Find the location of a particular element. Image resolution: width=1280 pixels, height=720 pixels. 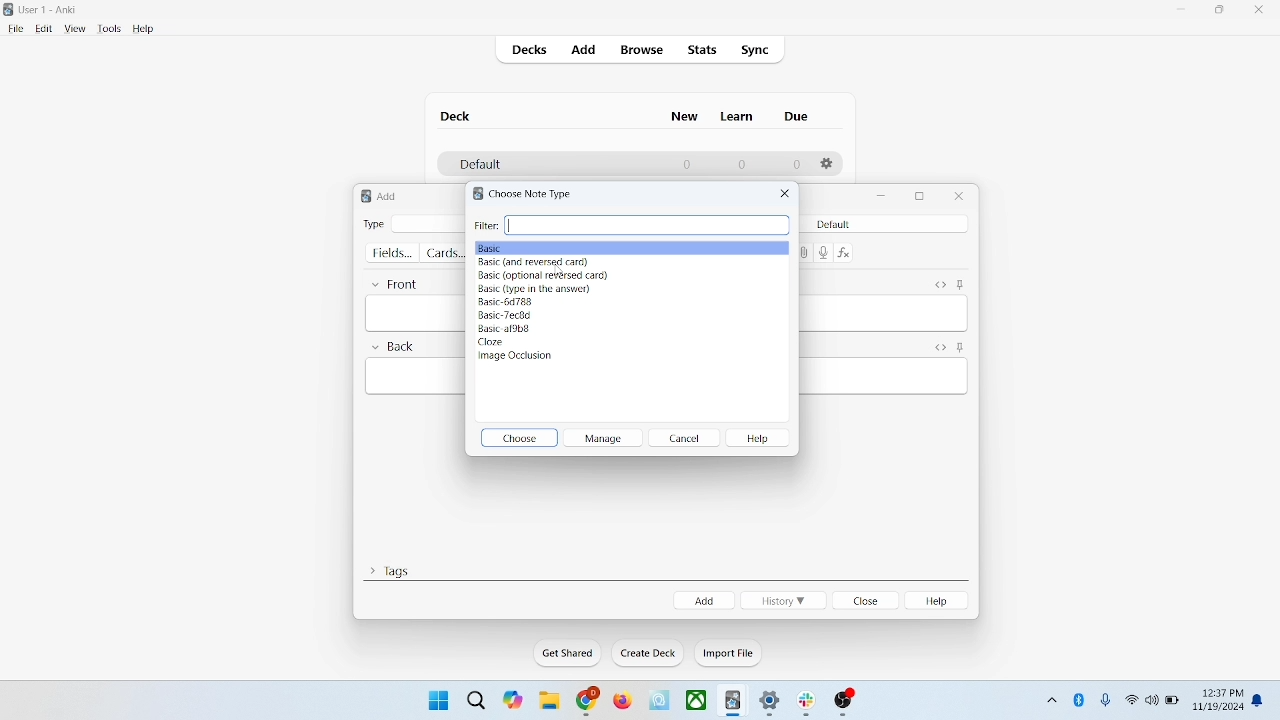

microphone is located at coordinates (1107, 701).